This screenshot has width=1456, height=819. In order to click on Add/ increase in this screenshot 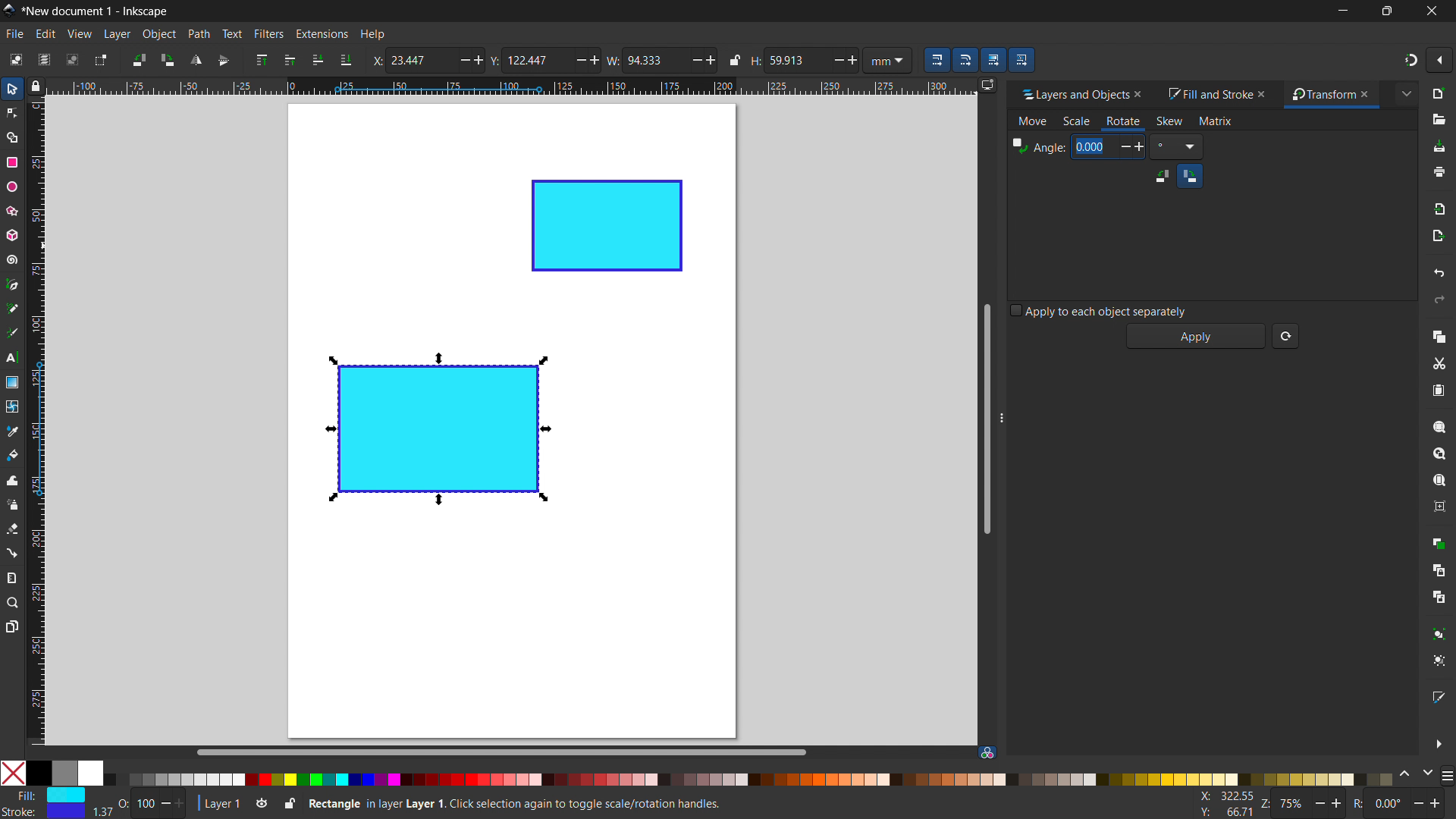, I will do `click(853, 58)`.